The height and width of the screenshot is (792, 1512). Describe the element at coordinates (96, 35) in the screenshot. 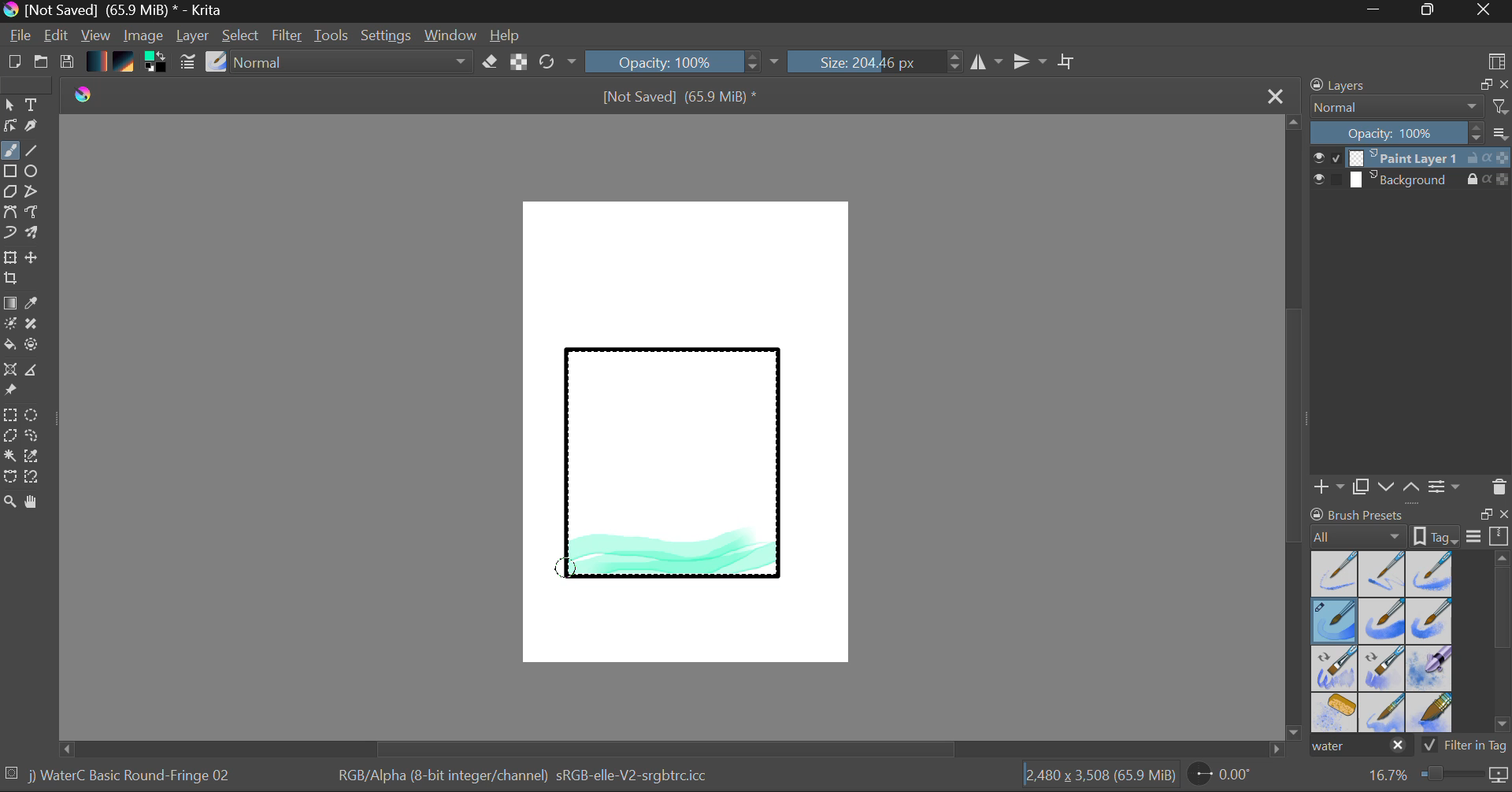

I see `View` at that location.